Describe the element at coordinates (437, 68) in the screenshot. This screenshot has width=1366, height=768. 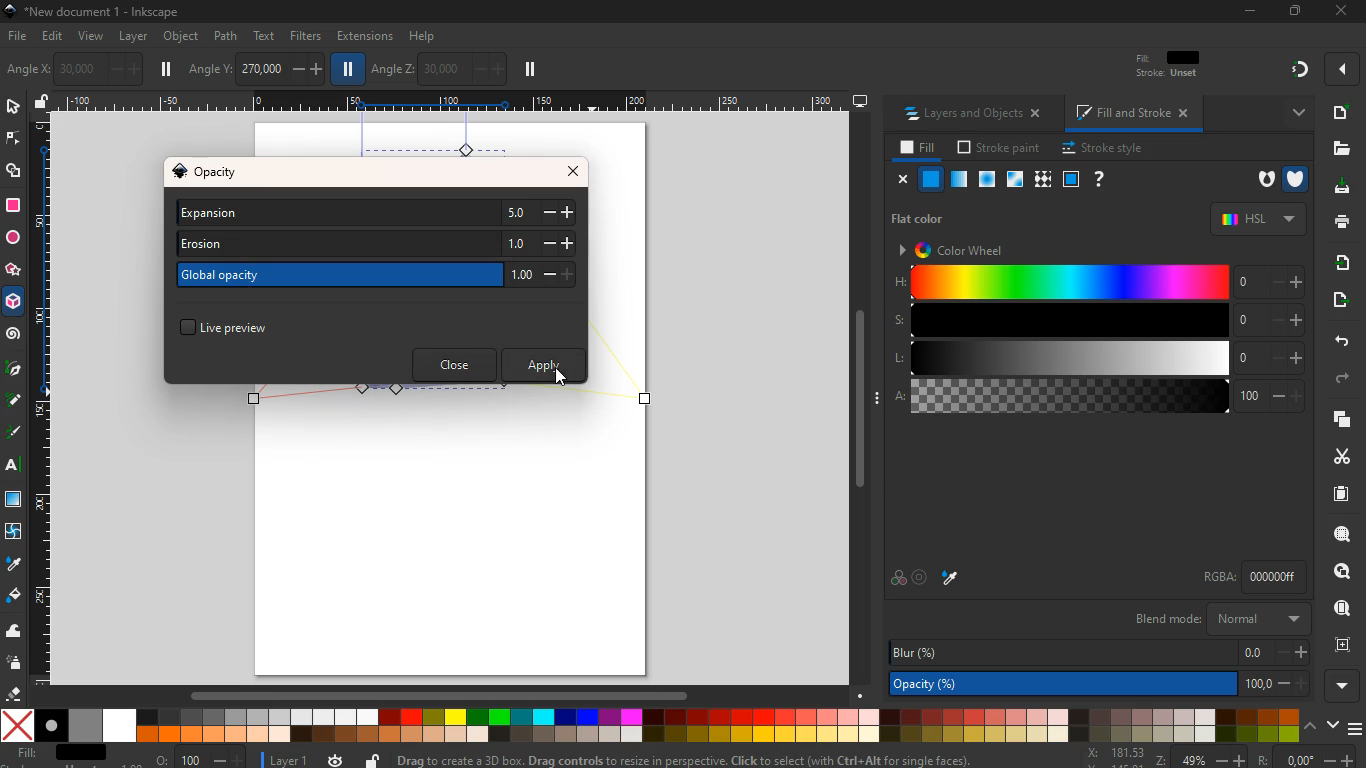
I see `angle z` at that location.